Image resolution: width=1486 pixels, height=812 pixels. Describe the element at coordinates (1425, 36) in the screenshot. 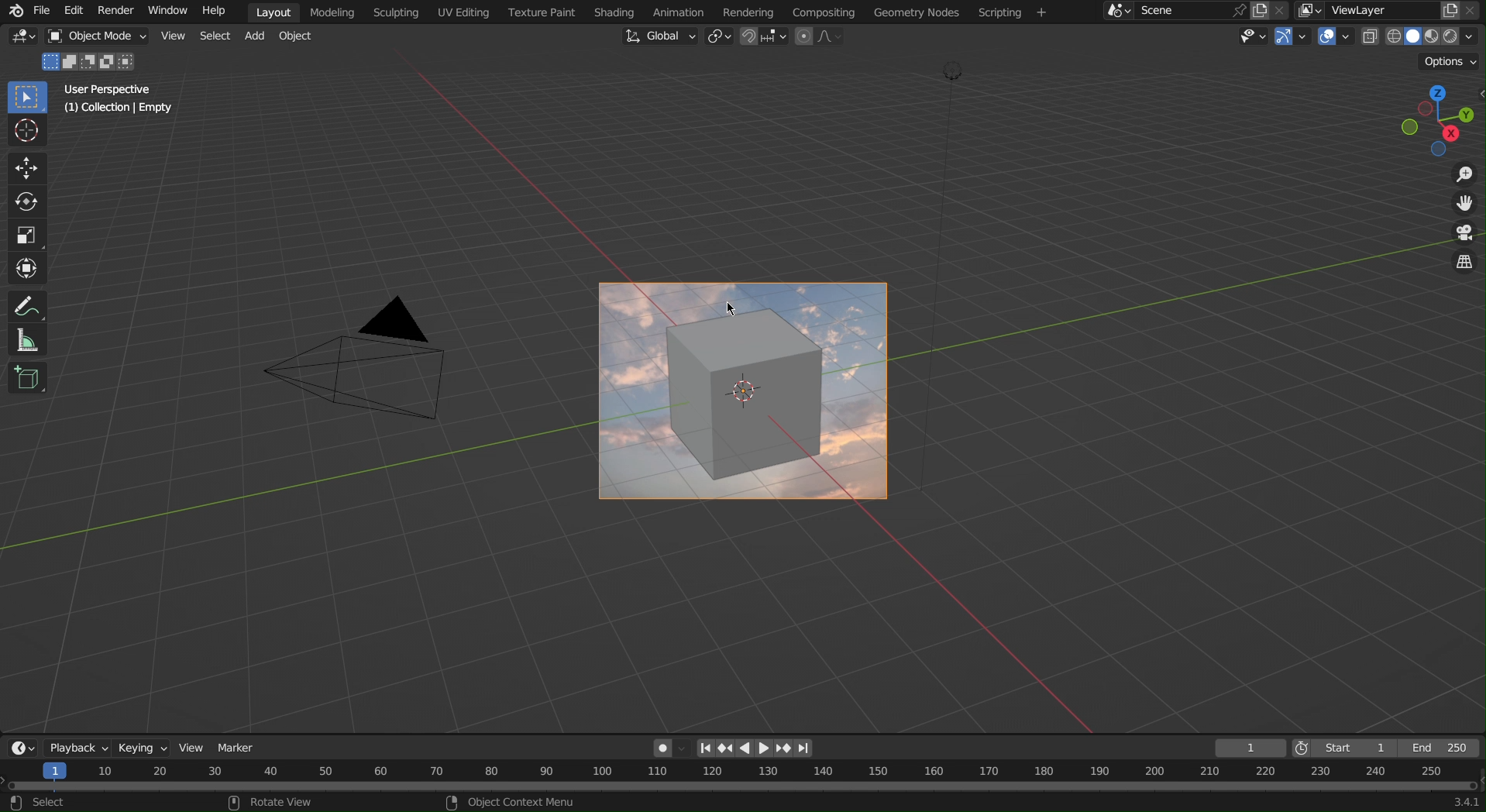

I see `Viewport Shading` at that location.